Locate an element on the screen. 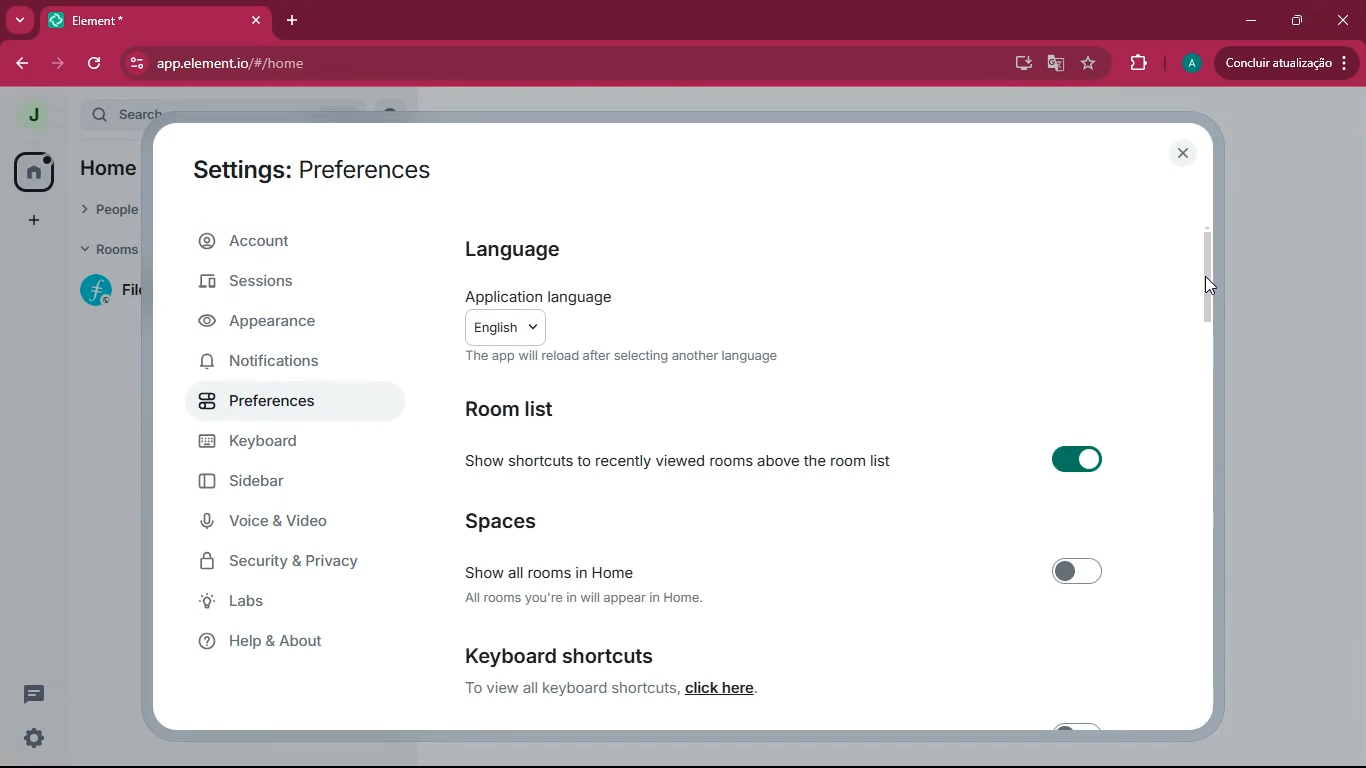 The image size is (1366, 768). desktop is located at coordinates (1017, 64).